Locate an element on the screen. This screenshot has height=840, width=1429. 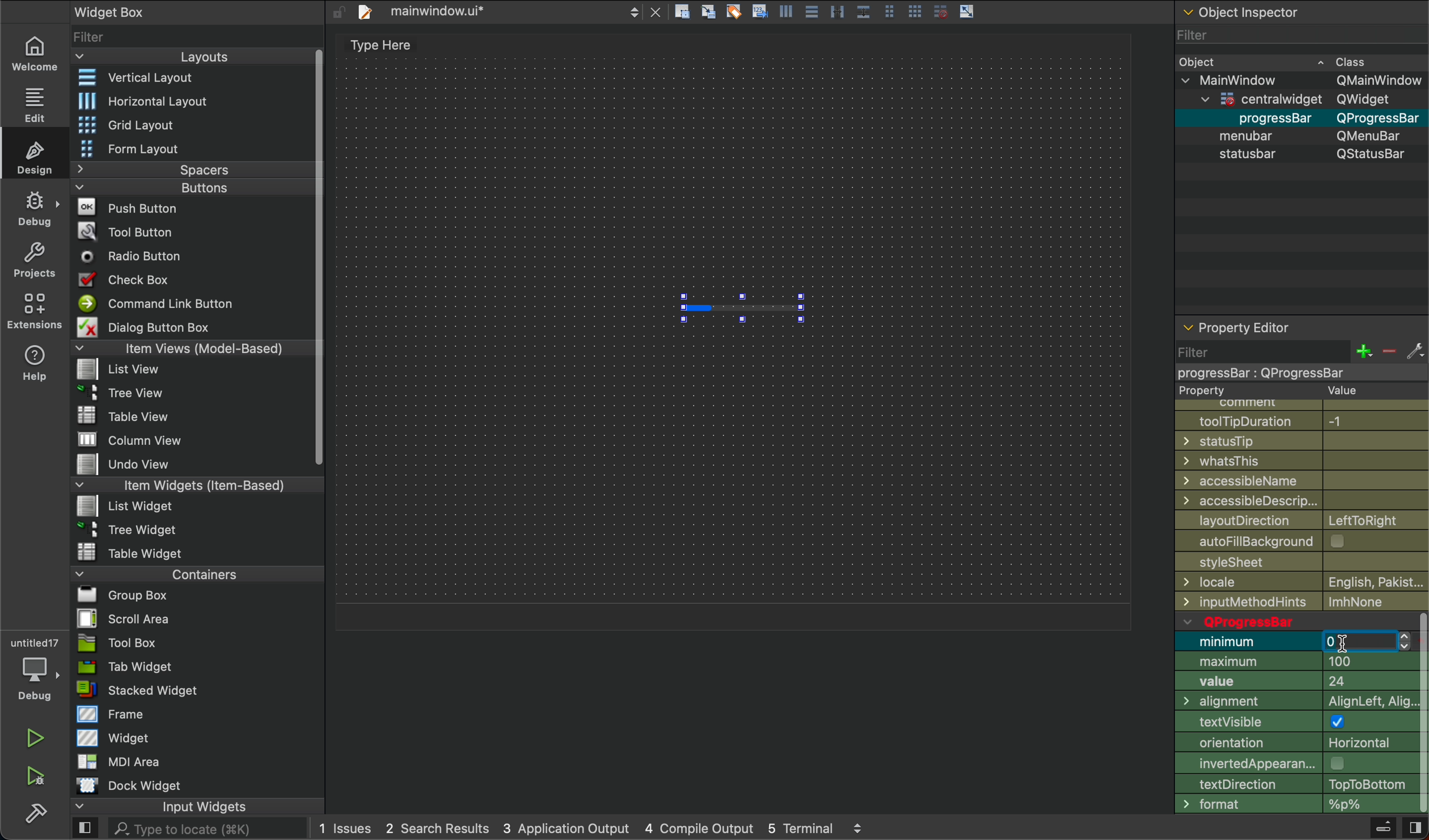
Minimum is located at coordinates (1248, 642).